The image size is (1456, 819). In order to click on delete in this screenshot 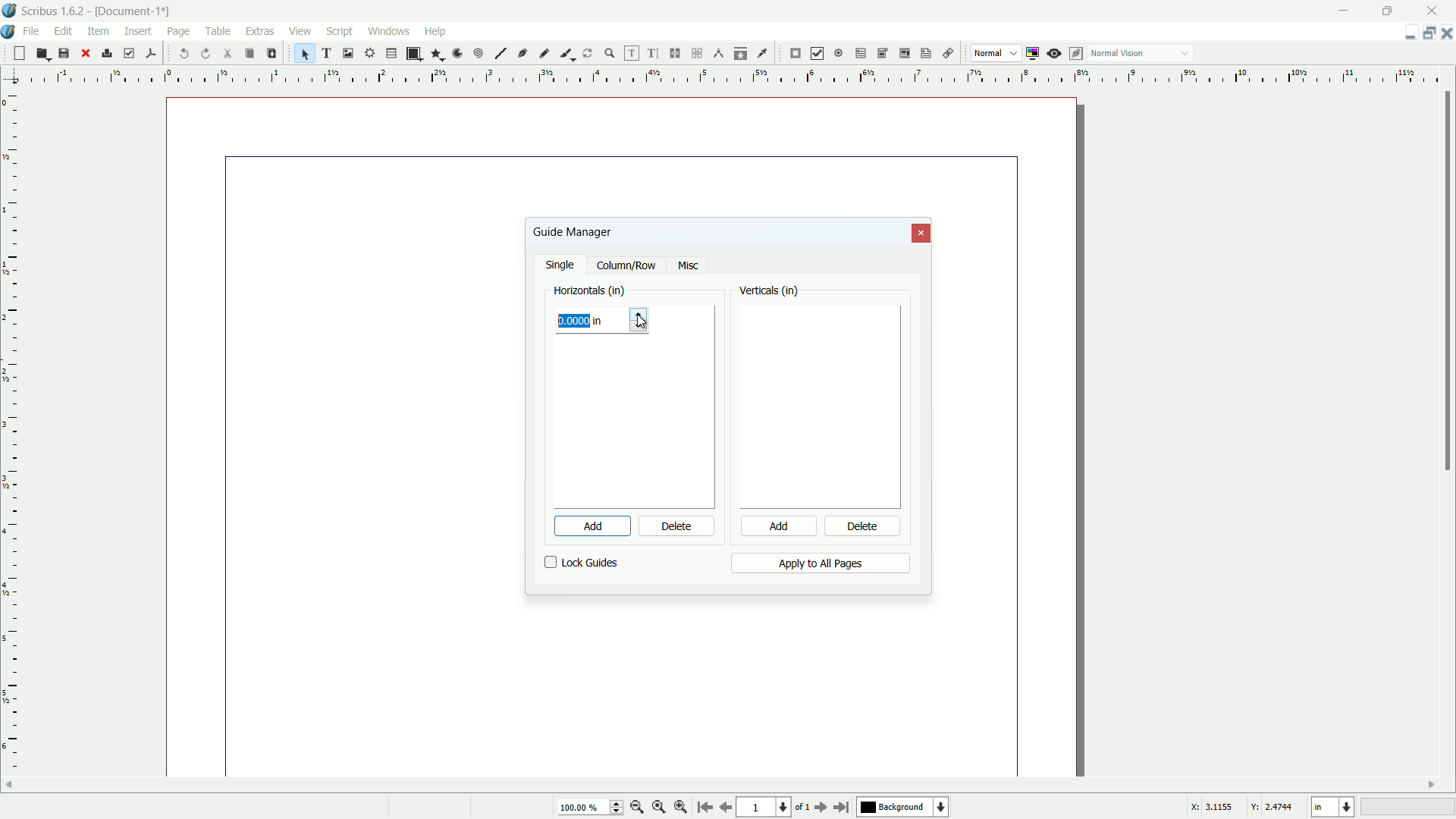, I will do `click(677, 527)`.